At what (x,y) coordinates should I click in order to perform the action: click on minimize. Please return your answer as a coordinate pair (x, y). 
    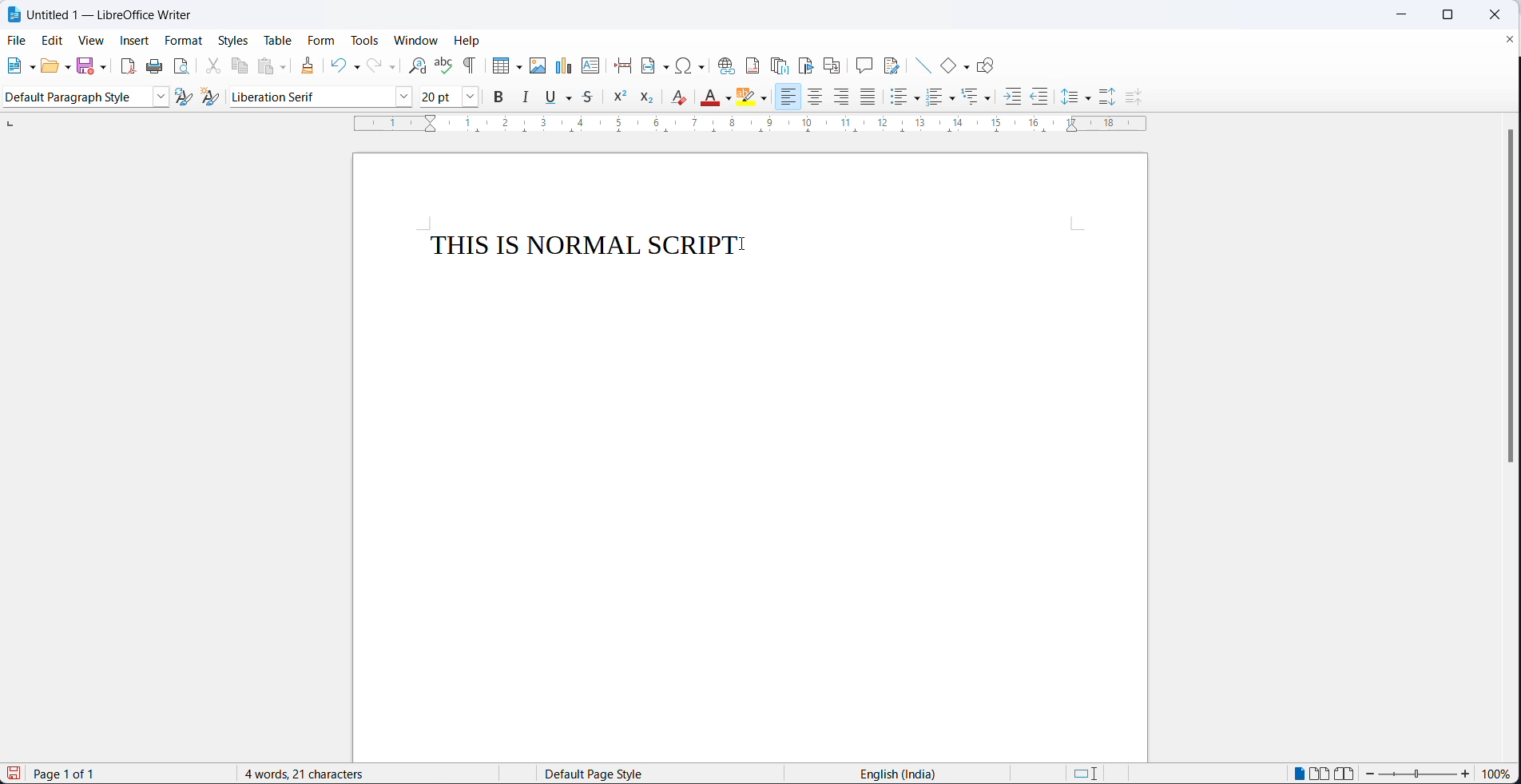
    Looking at the image, I should click on (1403, 15).